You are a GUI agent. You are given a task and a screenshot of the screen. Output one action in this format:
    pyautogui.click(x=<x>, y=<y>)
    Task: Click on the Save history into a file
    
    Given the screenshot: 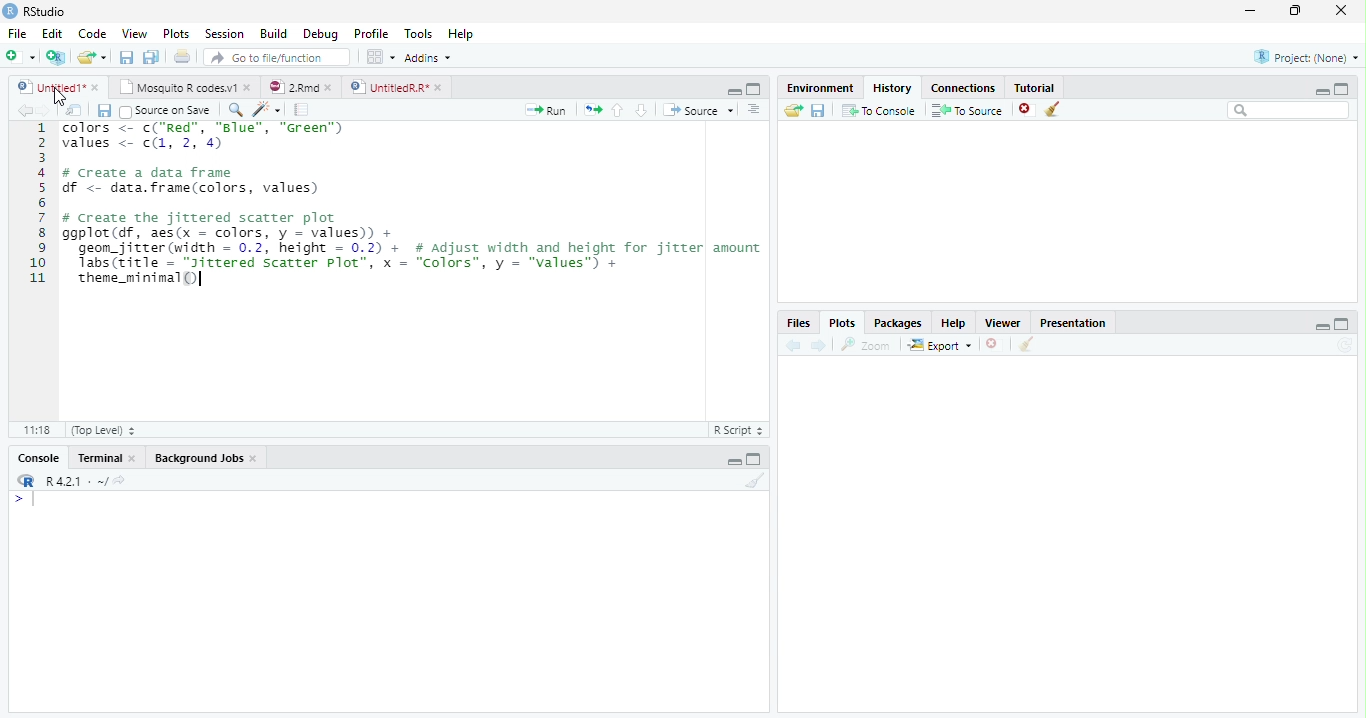 What is the action you would take?
    pyautogui.click(x=818, y=110)
    